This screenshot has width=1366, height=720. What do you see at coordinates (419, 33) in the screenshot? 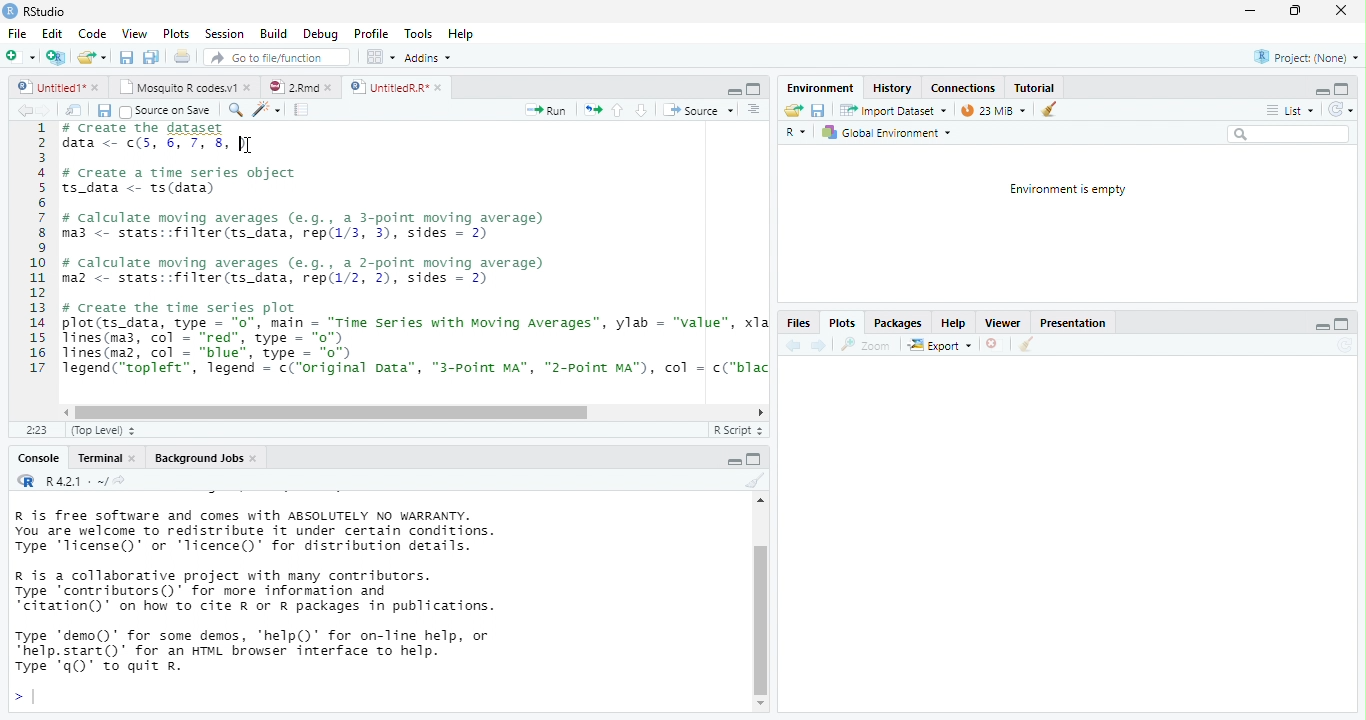
I see `Tools` at bounding box center [419, 33].